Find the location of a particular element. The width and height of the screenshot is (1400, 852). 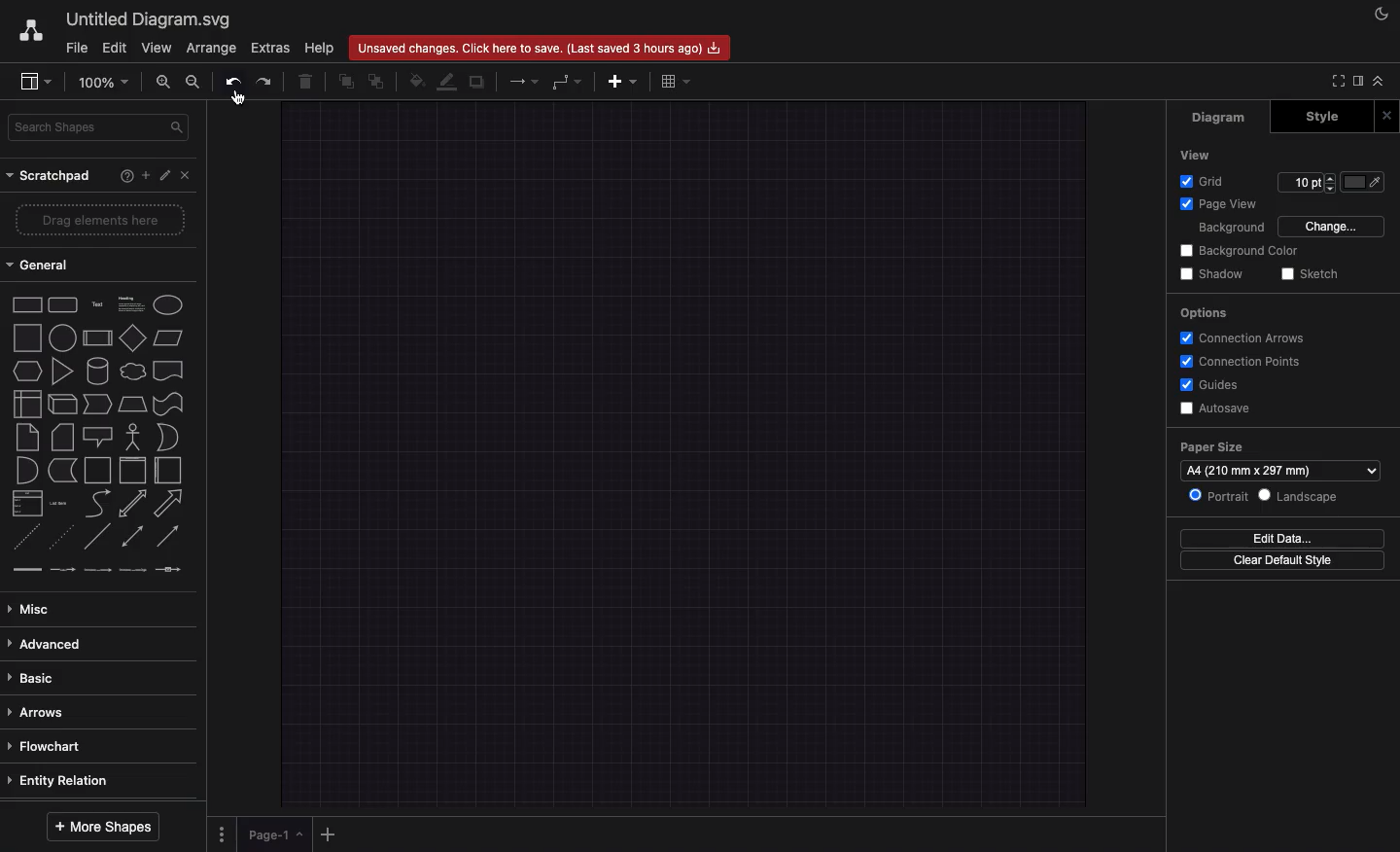

More shapes is located at coordinates (105, 827).